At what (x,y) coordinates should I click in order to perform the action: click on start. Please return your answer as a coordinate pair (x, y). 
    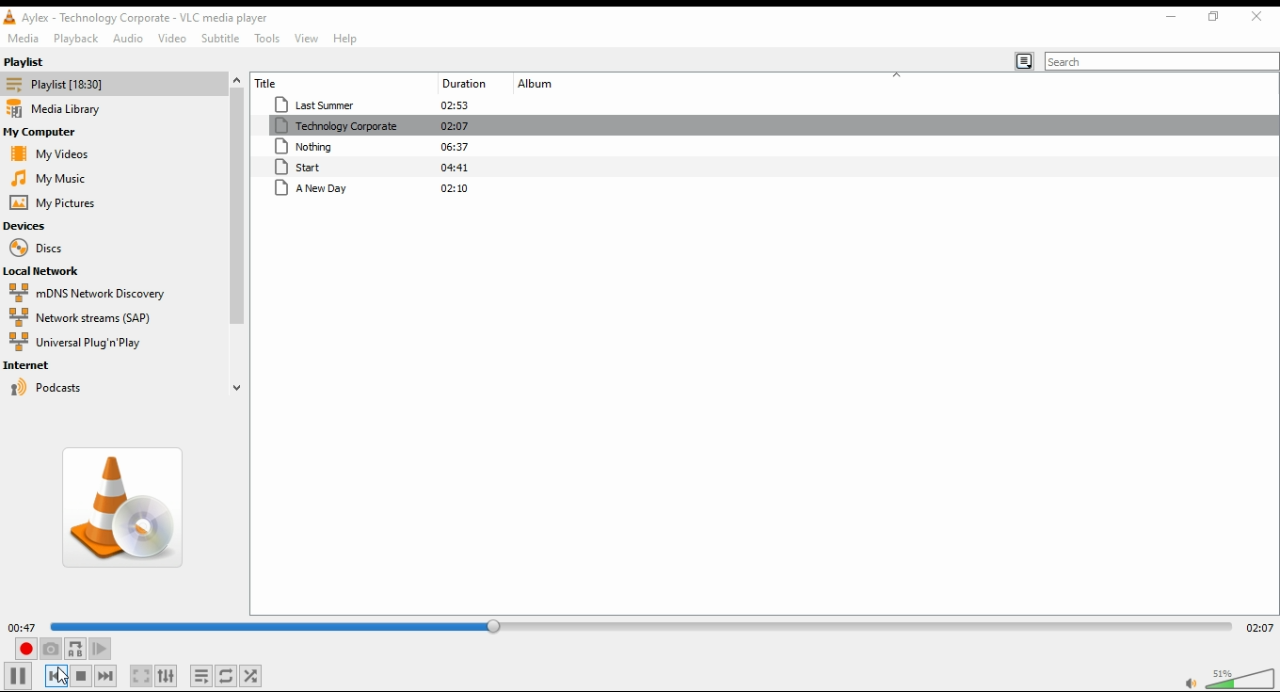
    Looking at the image, I should click on (337, 167).